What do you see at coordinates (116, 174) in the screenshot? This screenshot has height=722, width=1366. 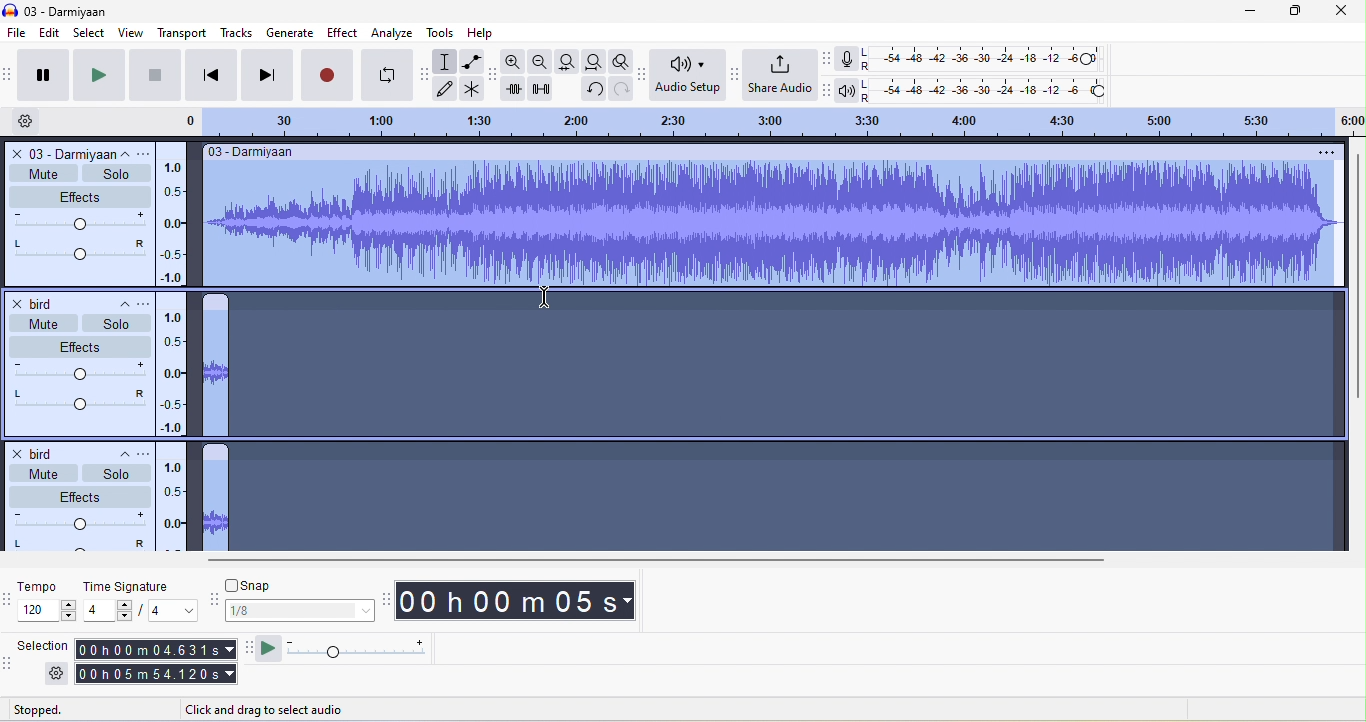 I see `solo` at bounding box center [116, 174].